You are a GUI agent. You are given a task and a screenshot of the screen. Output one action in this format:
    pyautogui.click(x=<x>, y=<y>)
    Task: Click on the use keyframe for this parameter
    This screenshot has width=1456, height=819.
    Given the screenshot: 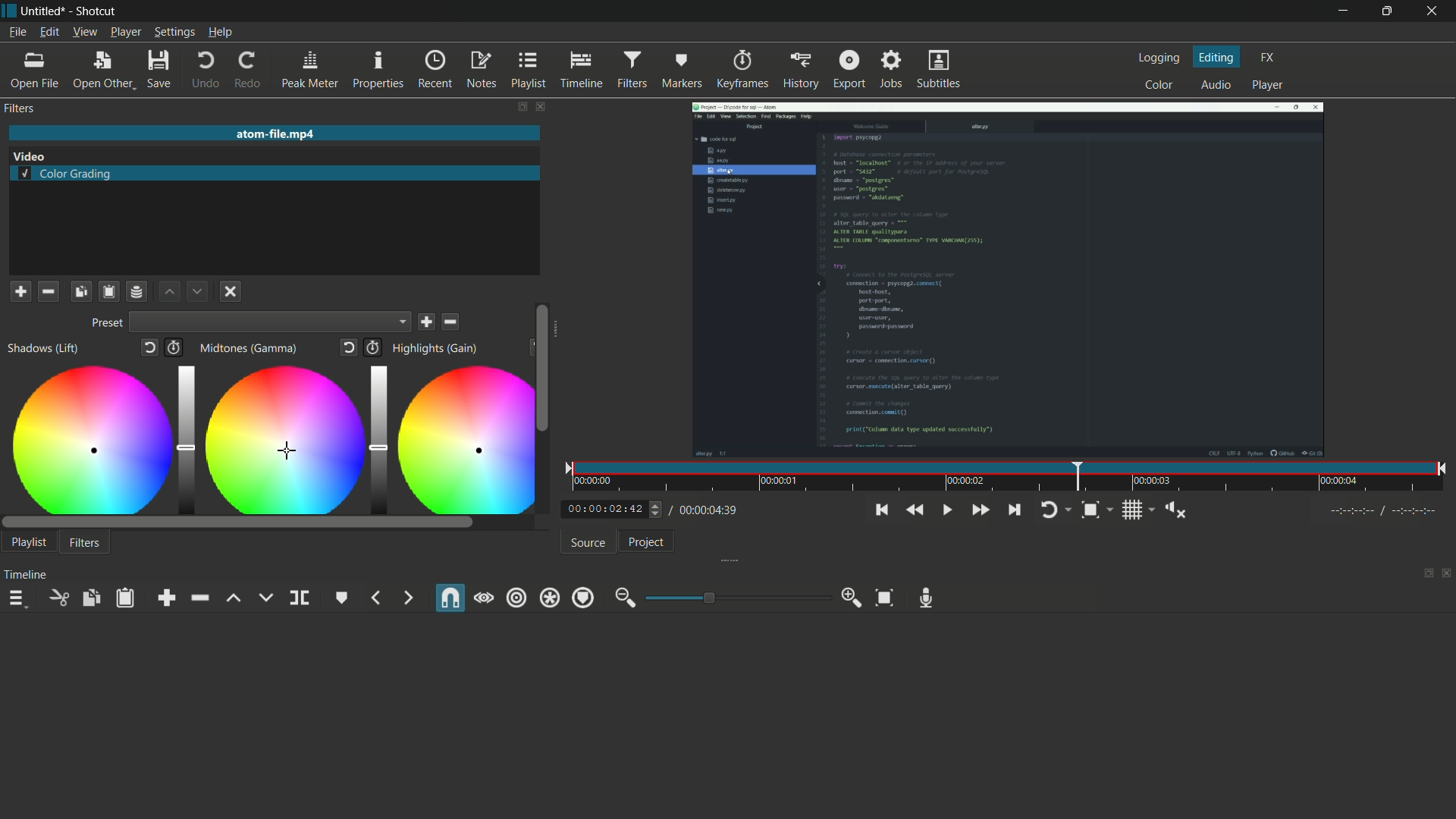 What is the action you would take?
    pyautogui.click(x=372, y=347)
    